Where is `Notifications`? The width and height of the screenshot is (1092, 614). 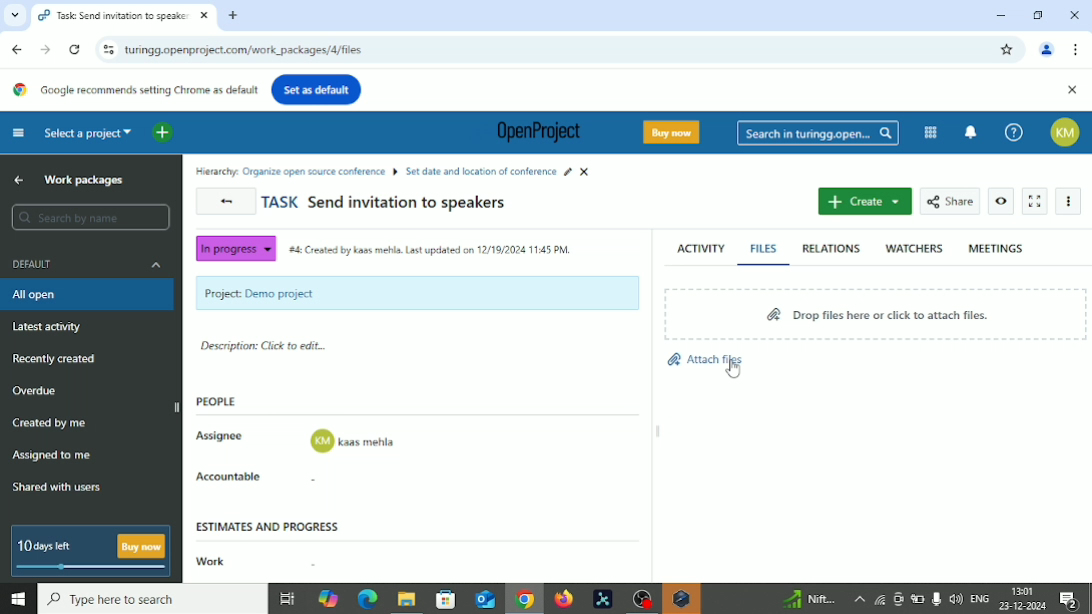
Notifications is located at coordinates (1075, 600).